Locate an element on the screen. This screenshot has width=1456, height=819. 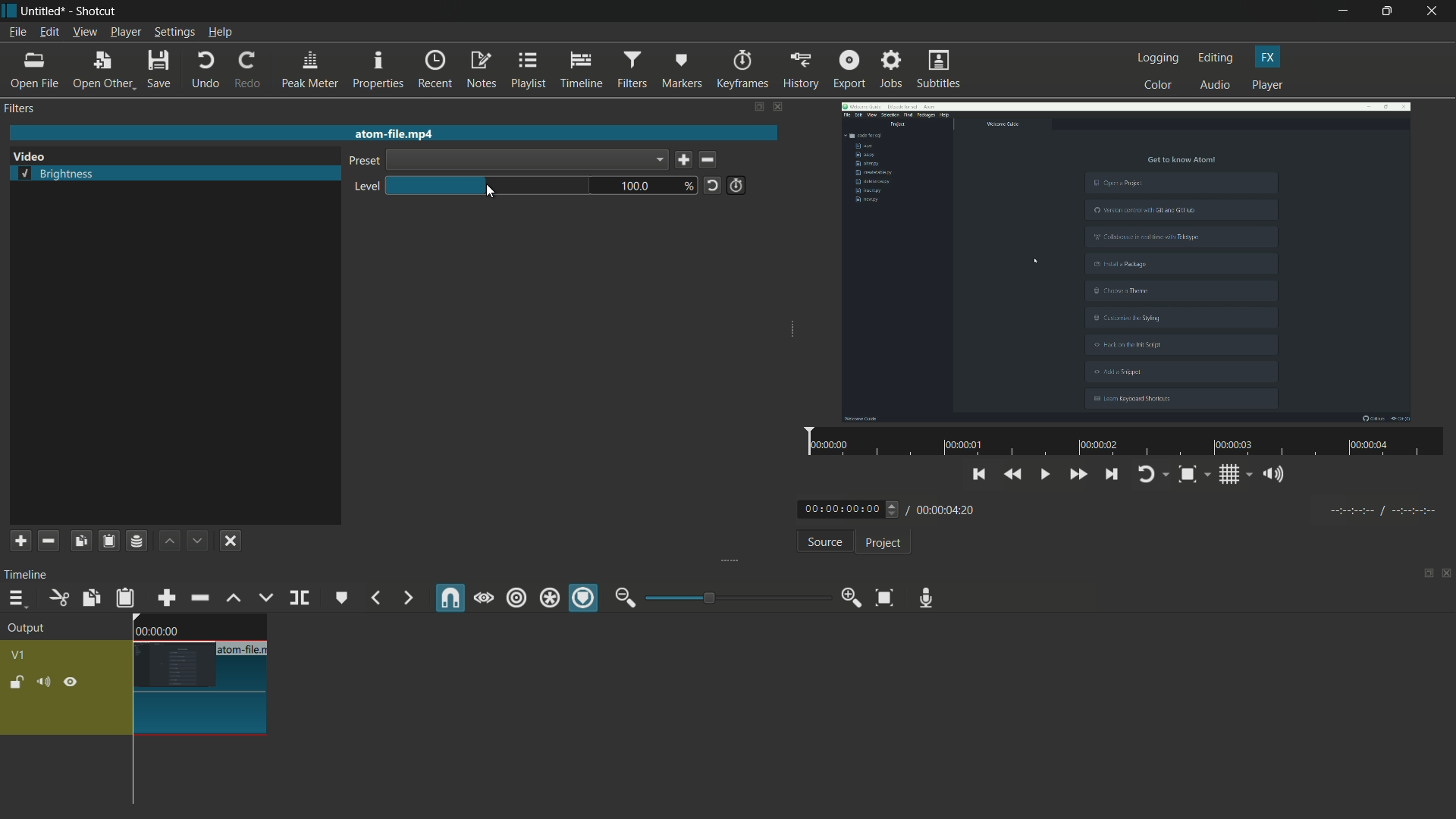
zoom timeline to fit is located at coordinates (884, 597).